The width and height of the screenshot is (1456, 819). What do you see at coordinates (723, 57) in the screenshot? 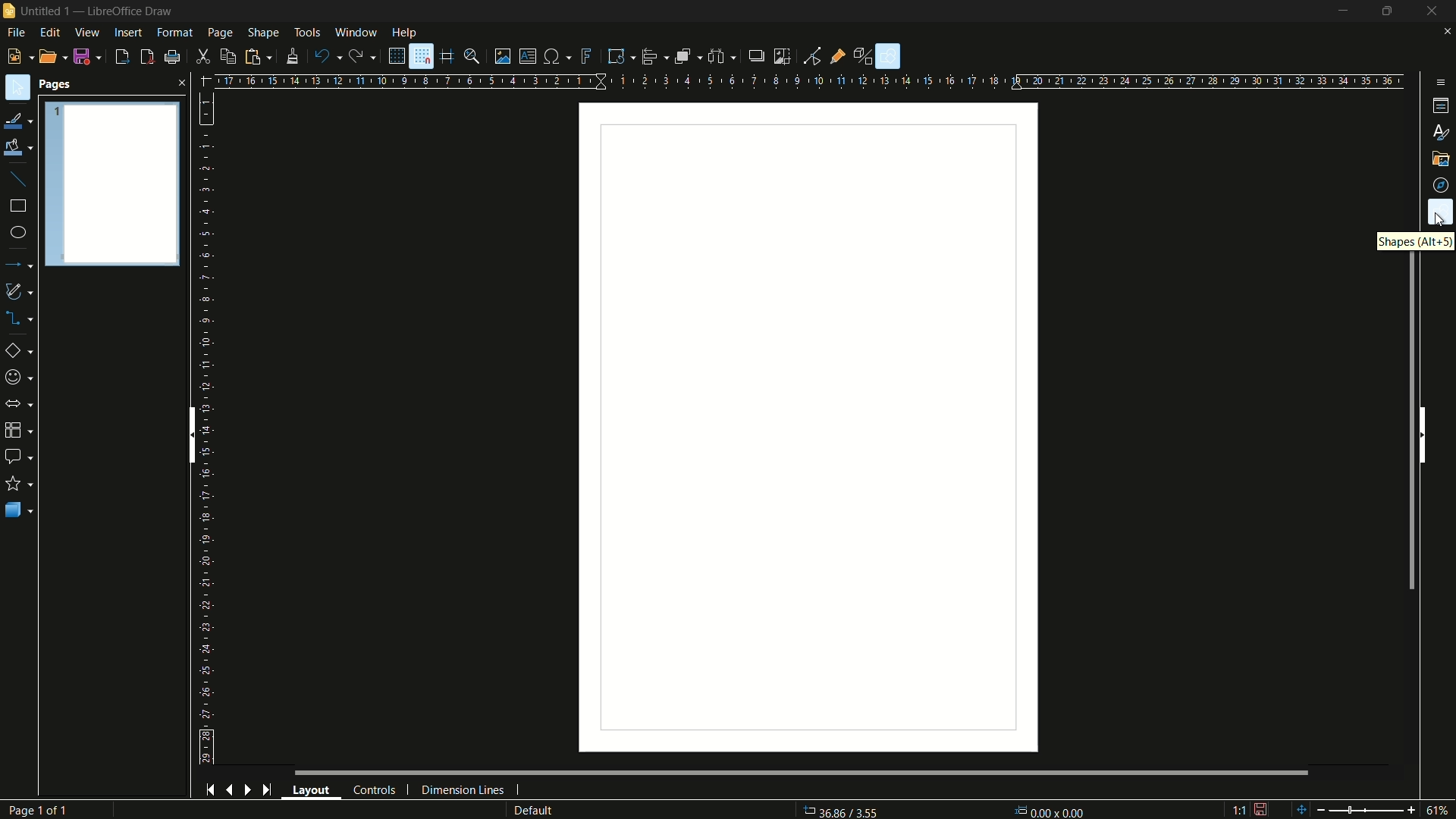
I see `select at least three objects to distribute` at bounding box center [723, 57].